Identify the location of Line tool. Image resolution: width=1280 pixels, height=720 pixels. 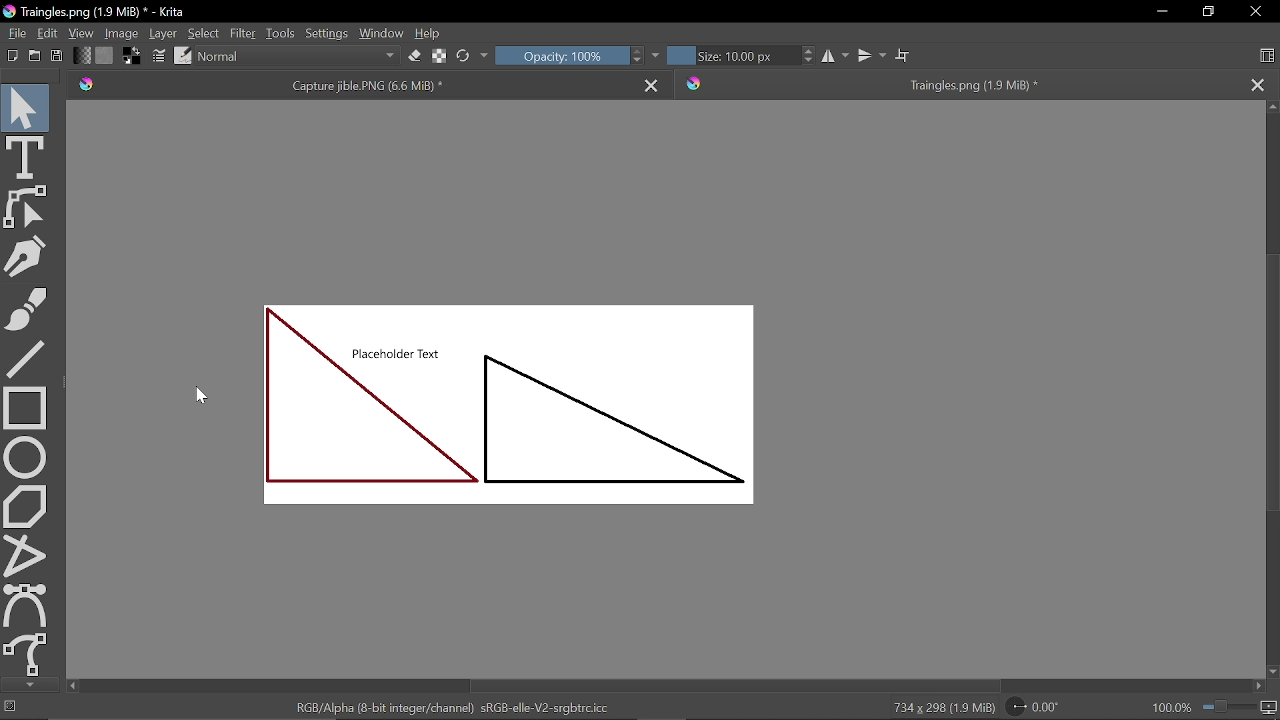
(26, 357).